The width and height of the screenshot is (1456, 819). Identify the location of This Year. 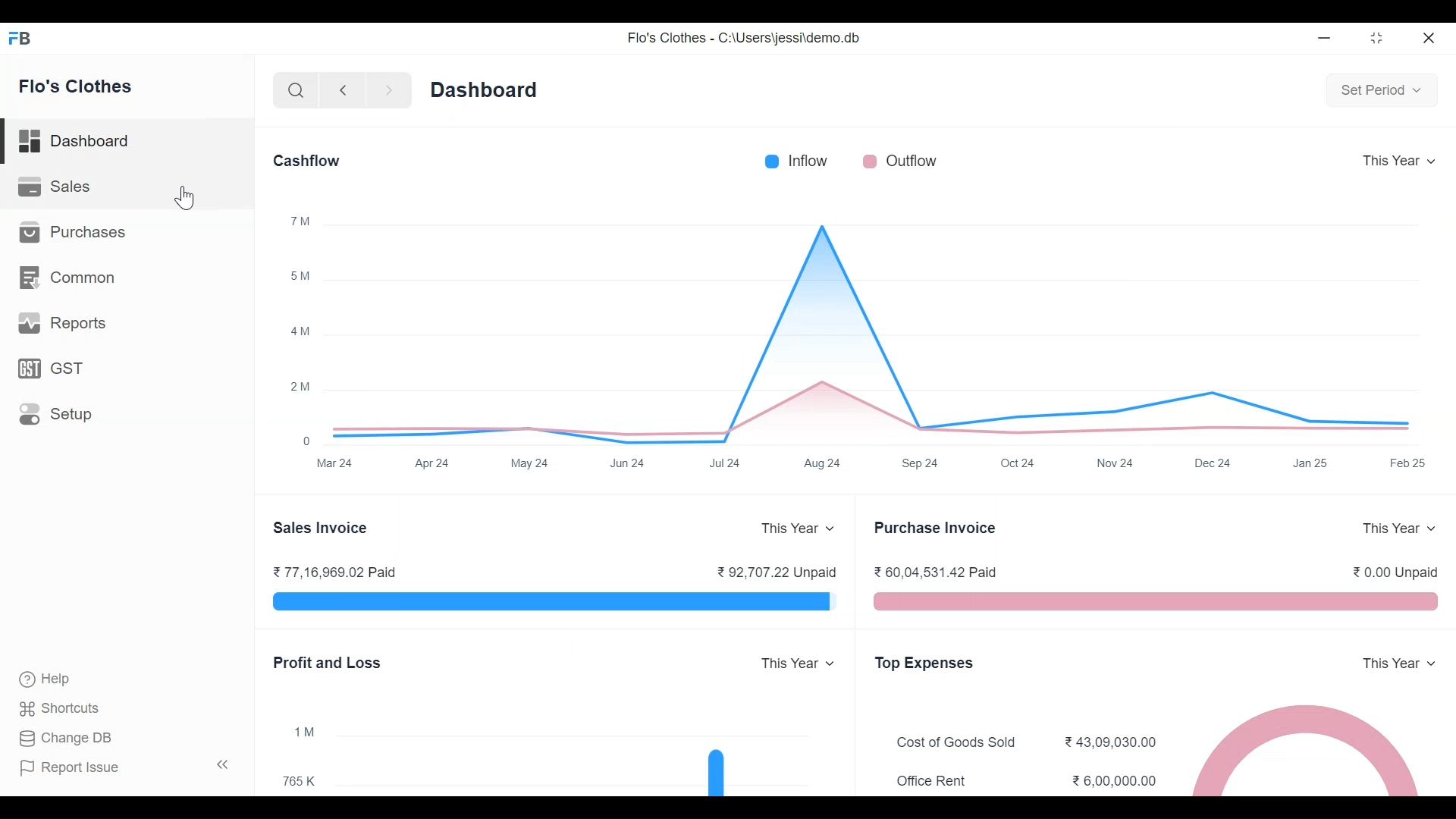
(788, 529).